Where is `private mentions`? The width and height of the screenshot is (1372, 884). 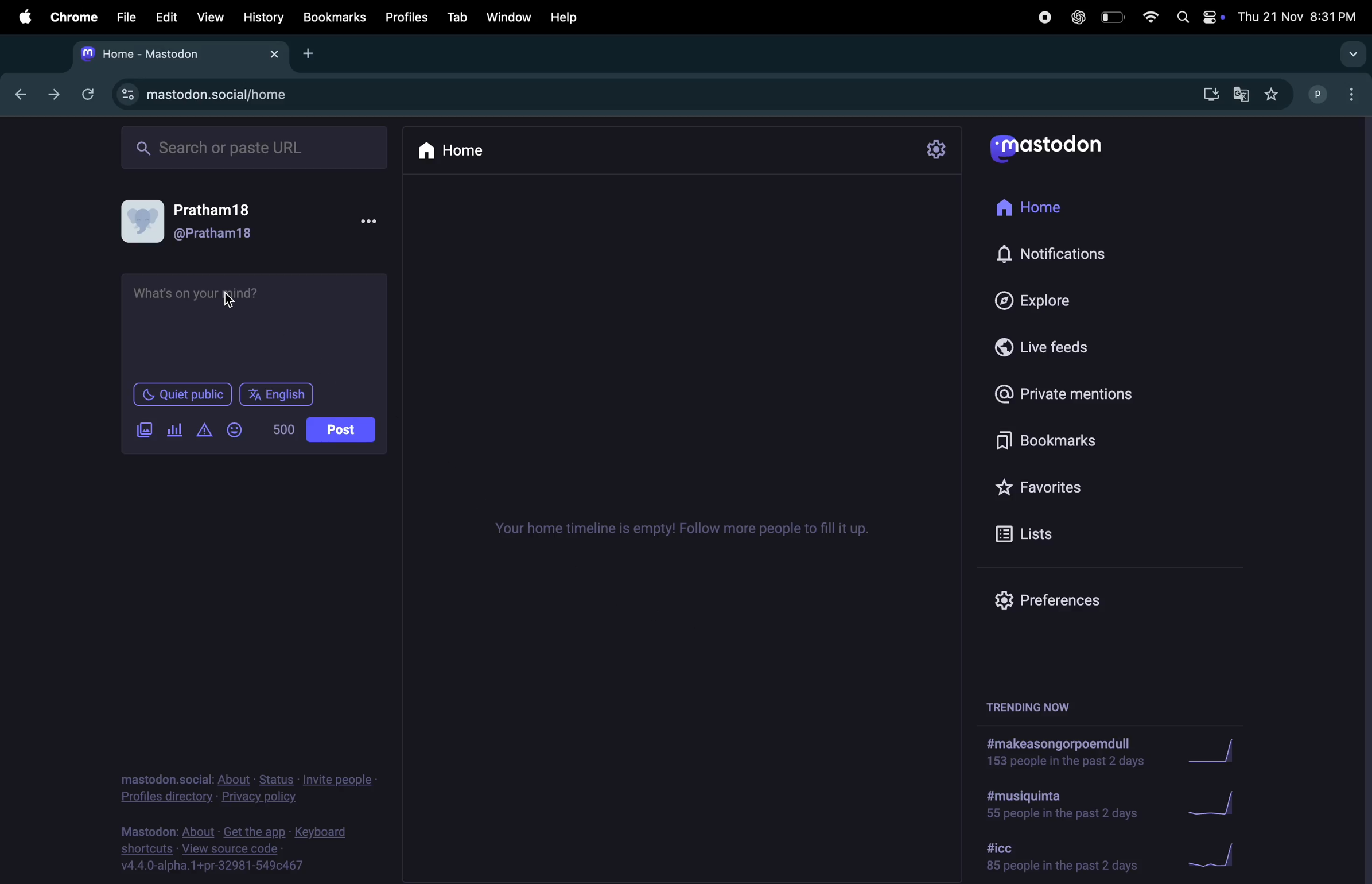
private mentions is located at coordinates (1061, 396).